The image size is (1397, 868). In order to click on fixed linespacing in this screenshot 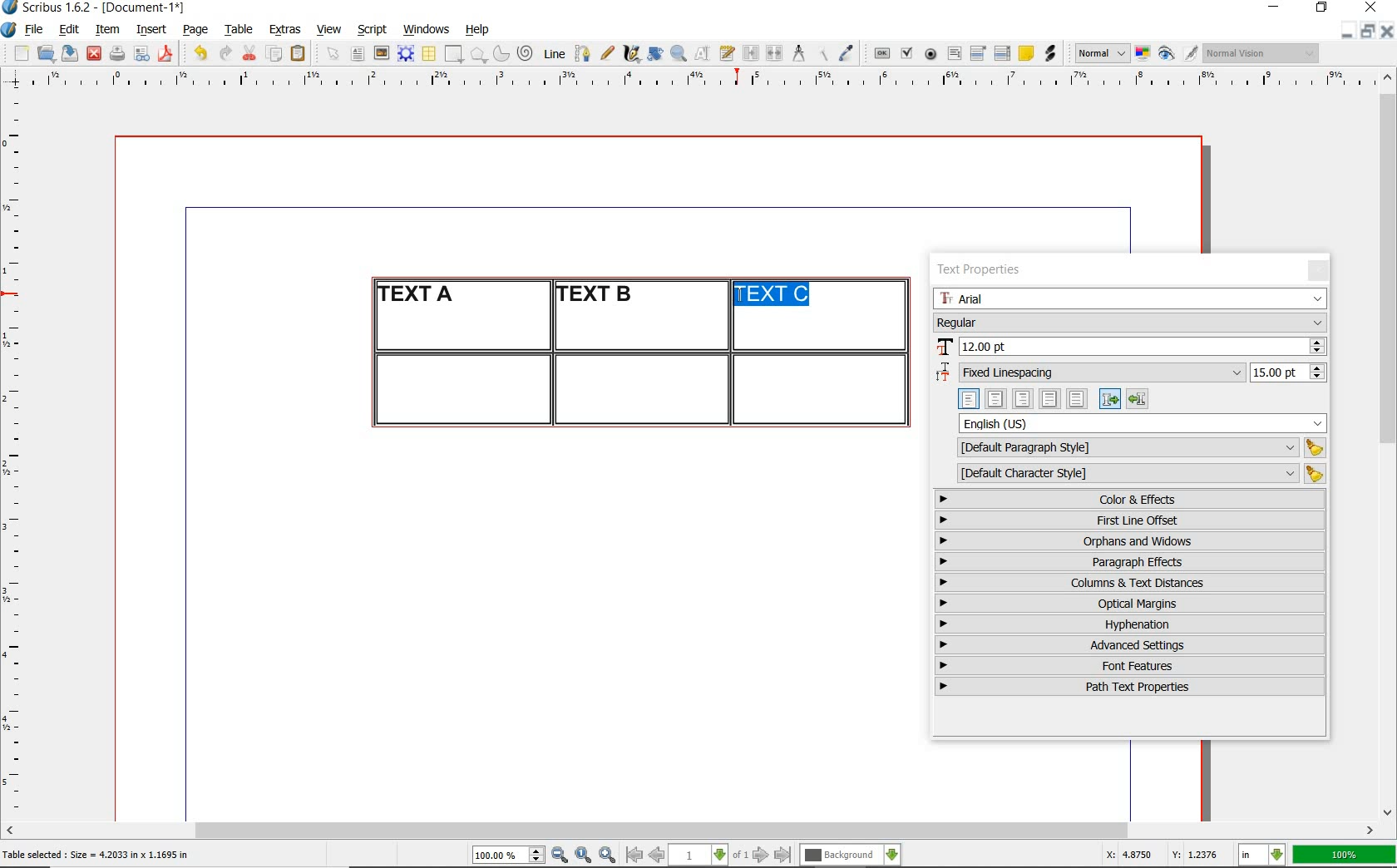, I will do `click(1131, 373)`.